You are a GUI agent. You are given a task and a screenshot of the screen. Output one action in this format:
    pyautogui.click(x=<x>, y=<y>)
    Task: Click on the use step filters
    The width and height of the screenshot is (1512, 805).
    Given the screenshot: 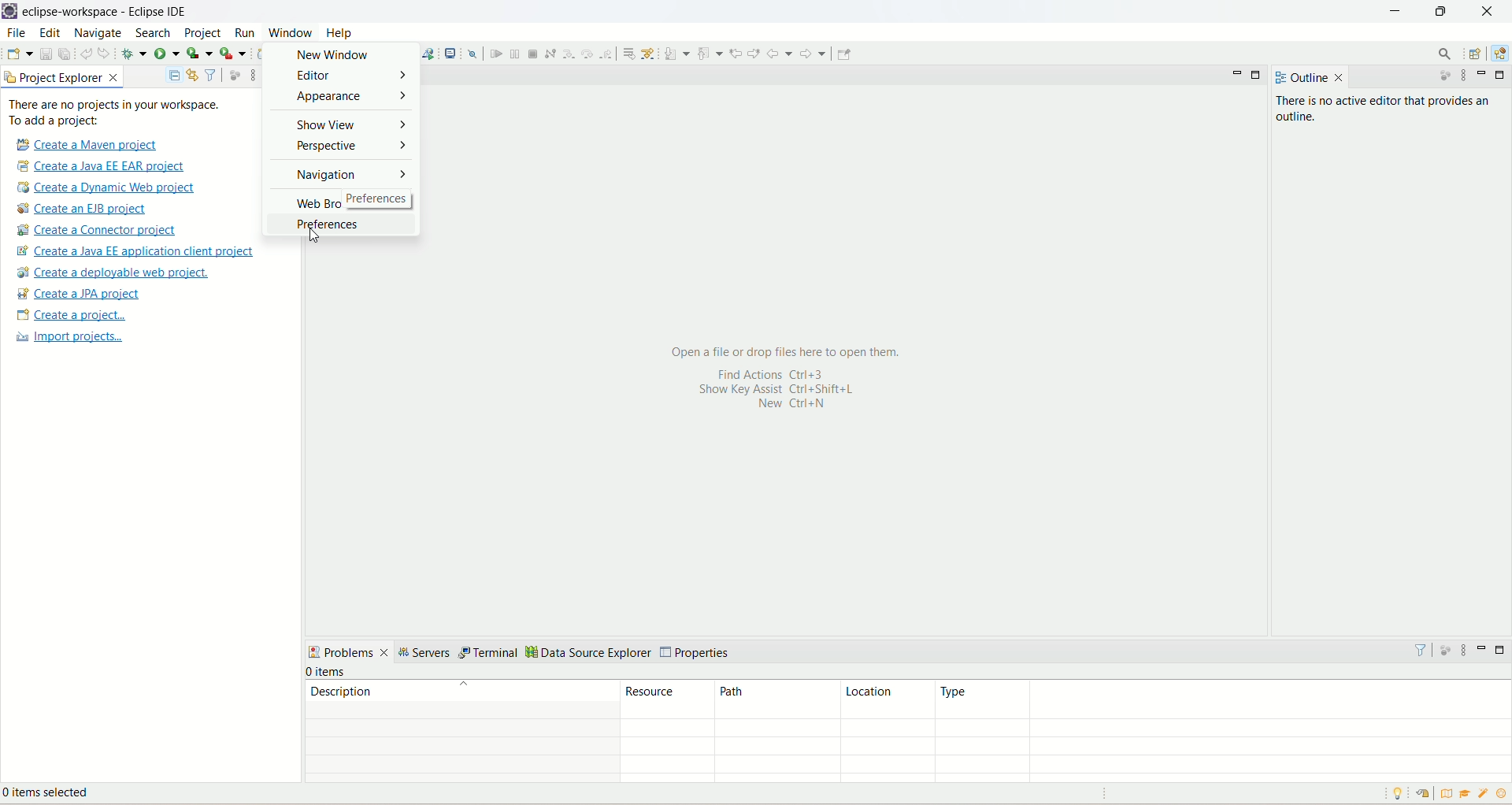 What is the action you would take?
    pyautogui.click(x=649, y=53)
    